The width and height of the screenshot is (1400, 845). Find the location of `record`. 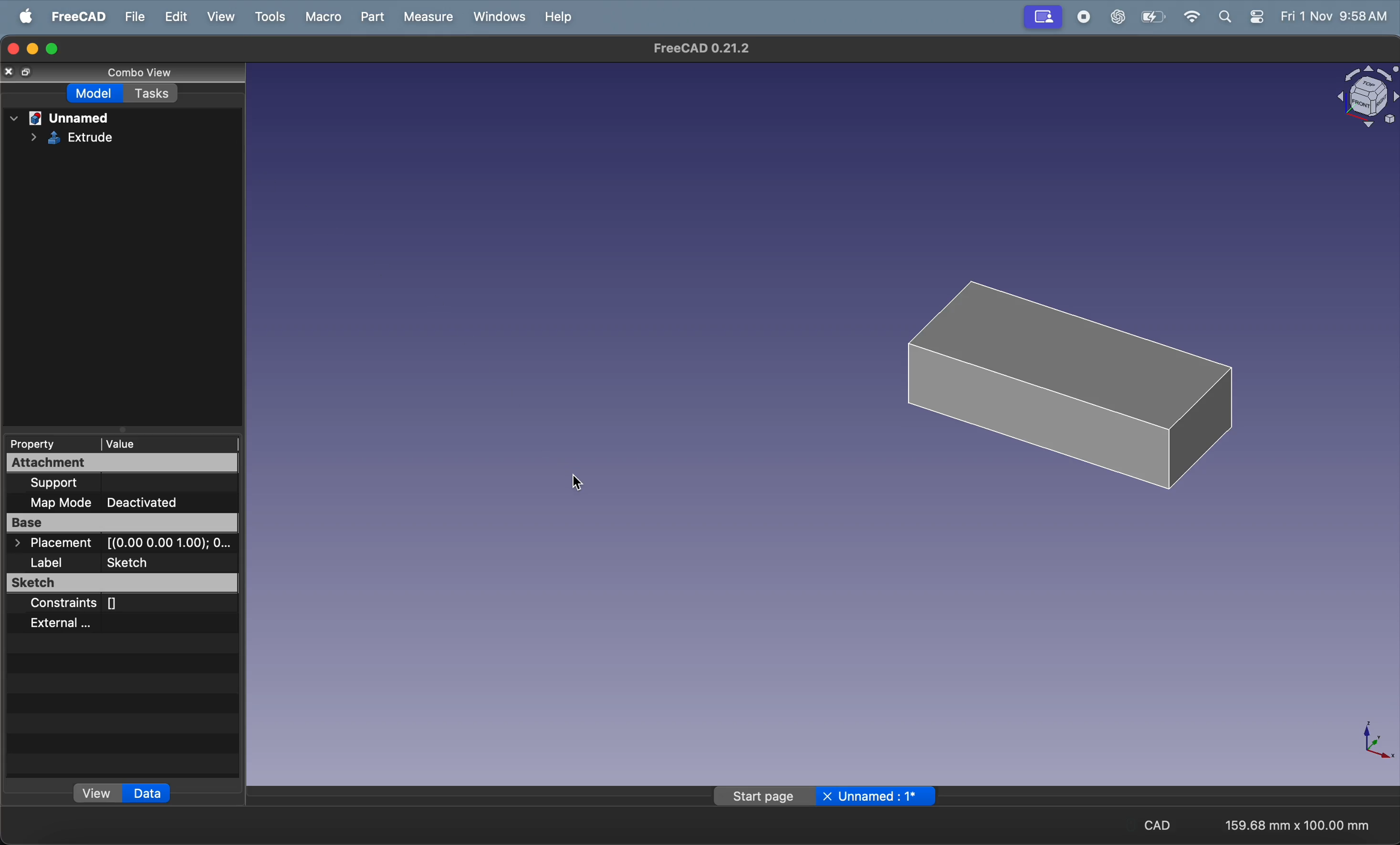

record is located at coordinates (1081, 17).